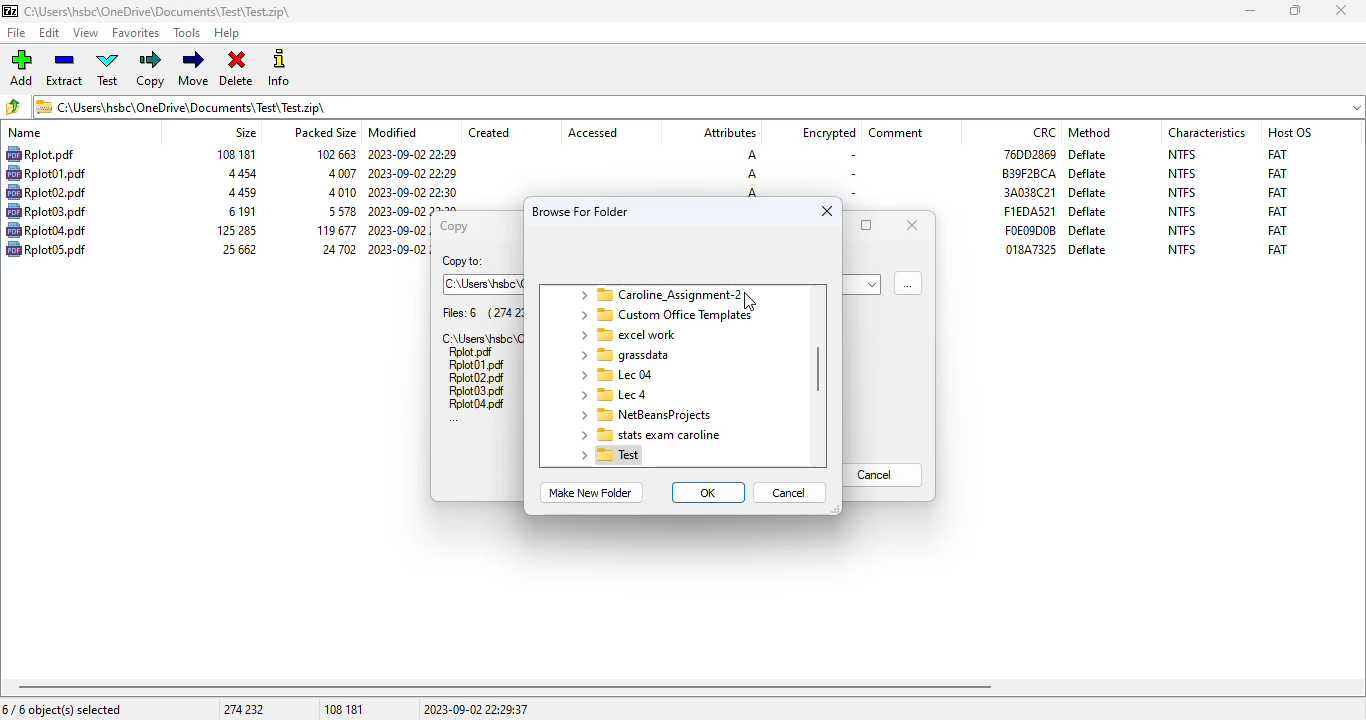 The image size is (1366, 720). Describe the element at coordinates (394, 132) in the screenshot. I see `modified` at that location.